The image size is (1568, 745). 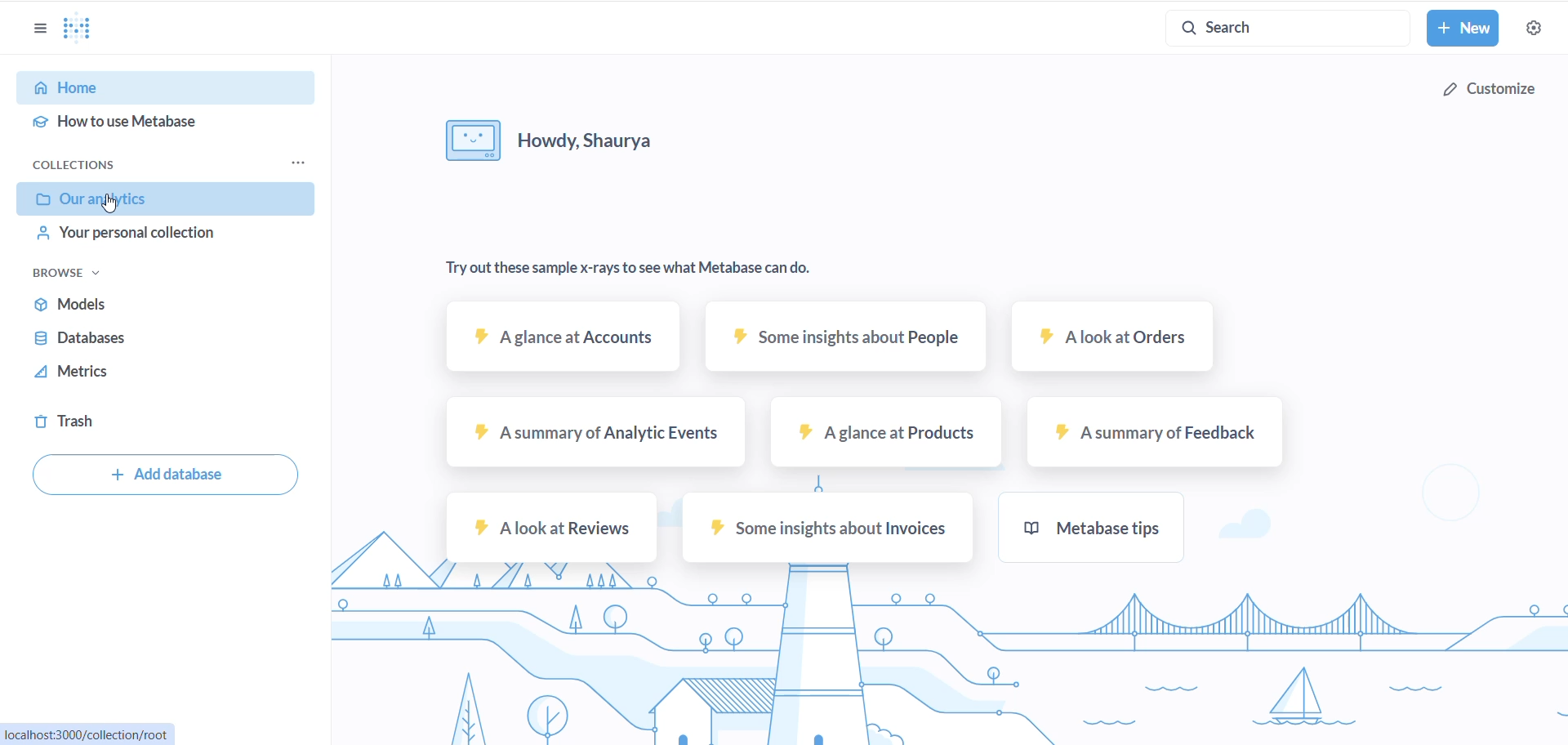 I want to click on A look at orders , so click(x=1105, y=338).